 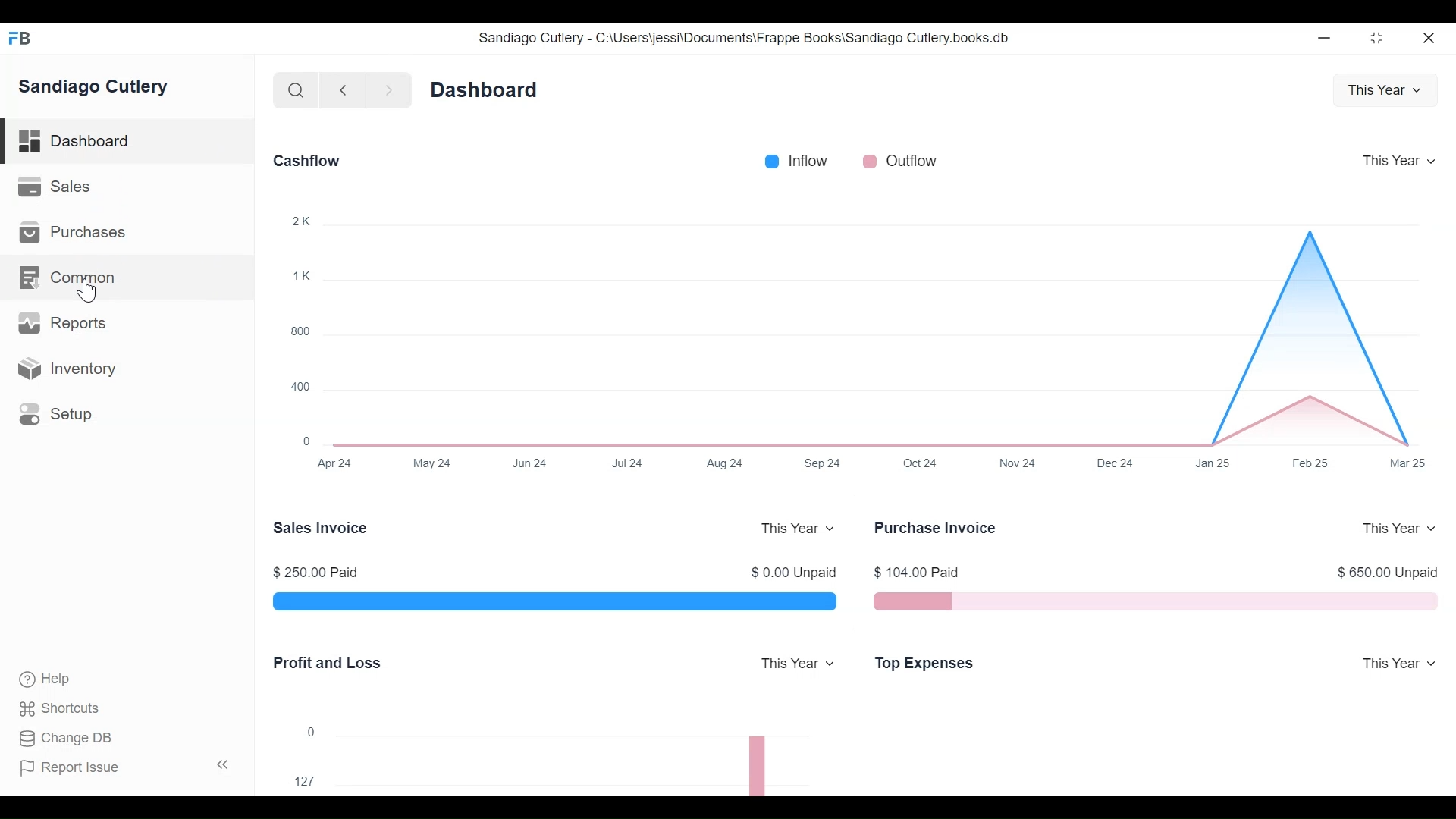 What do you see at coordinates (331, 662) in the screenshot?
I see `Profit and Loss` at bounding box center [331, 662].